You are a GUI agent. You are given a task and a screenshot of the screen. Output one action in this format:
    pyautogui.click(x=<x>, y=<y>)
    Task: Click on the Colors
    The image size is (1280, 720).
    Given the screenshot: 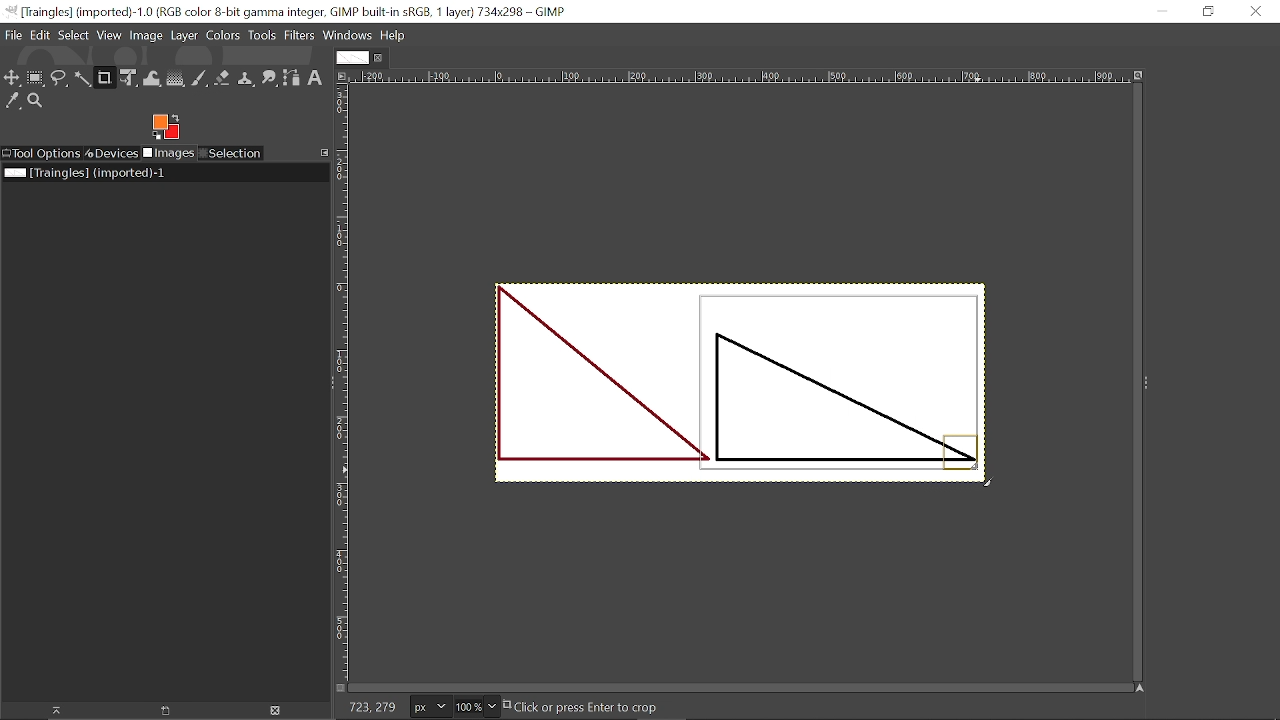 What is the action you would take?
    pyautogui.click(x=223, y=37)
    